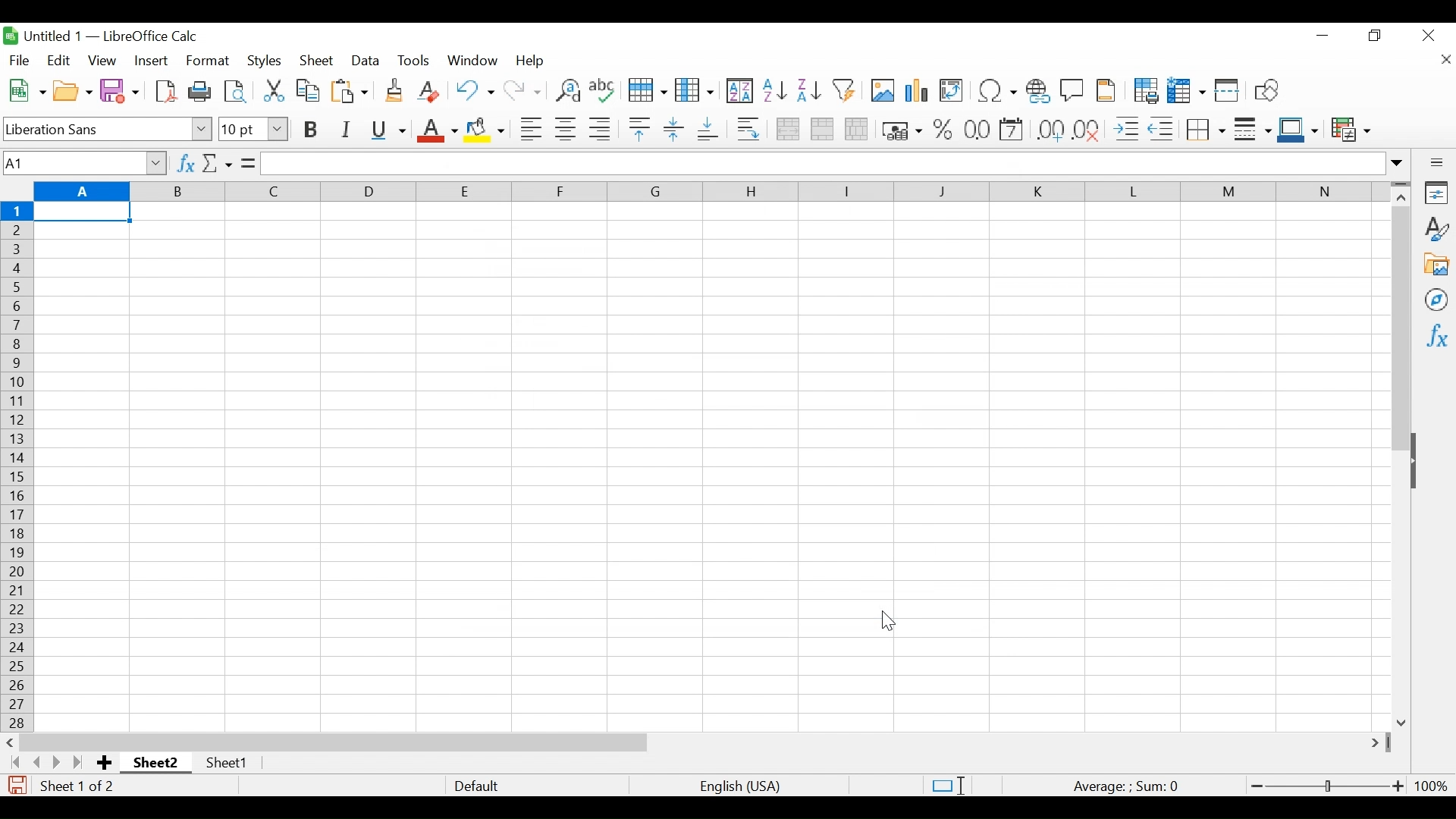 The image size is (1456, 819). What do you see at coordinates (880, 91) in the screenshot?
I see `Insert Image` at bounding box center [880, 91].